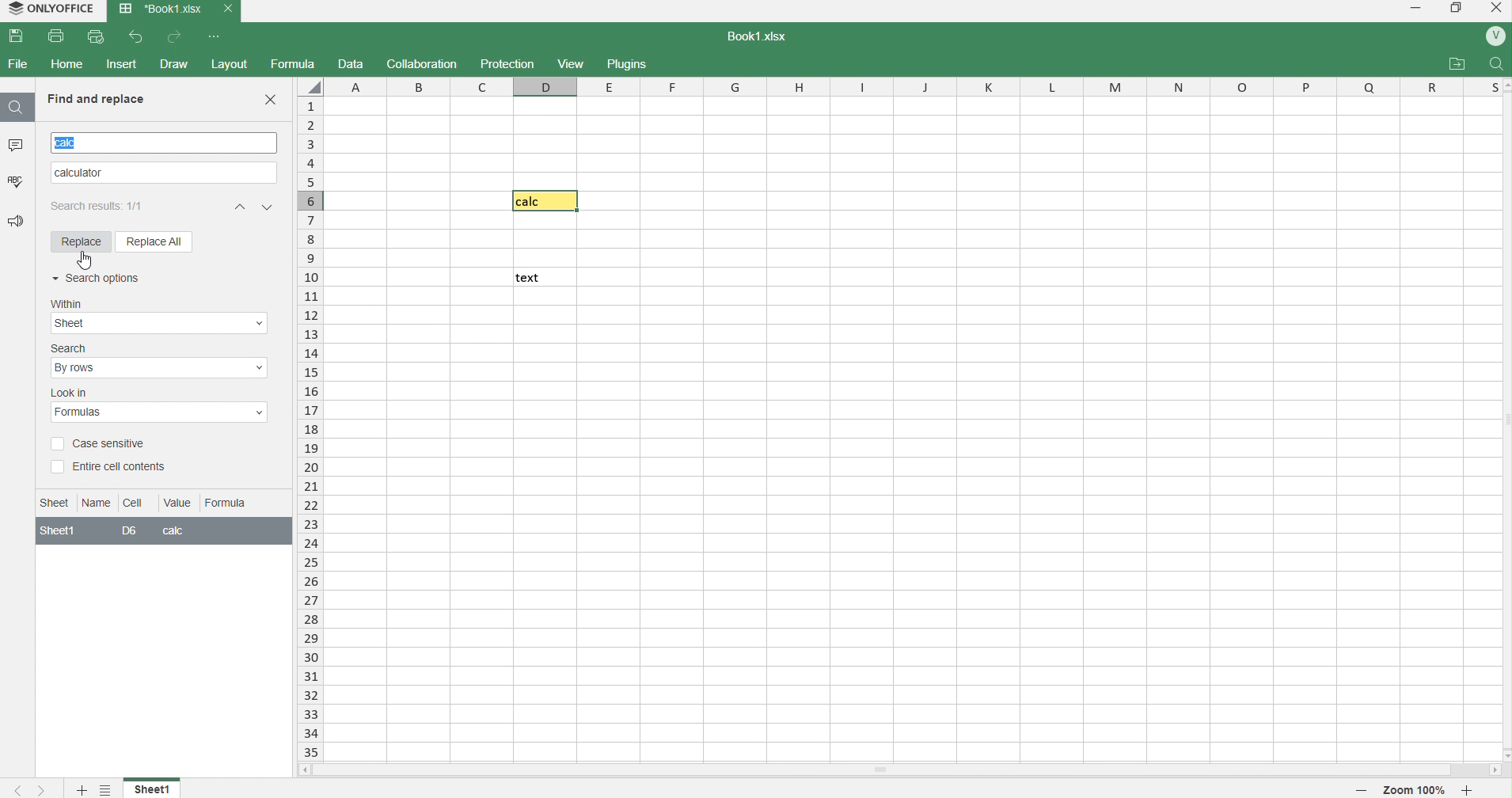 This screenshot has height=798, width=1512. What do you see at coordinates (60, 36) in the screenshot?
I see `print` at bounding box center [60, 36].